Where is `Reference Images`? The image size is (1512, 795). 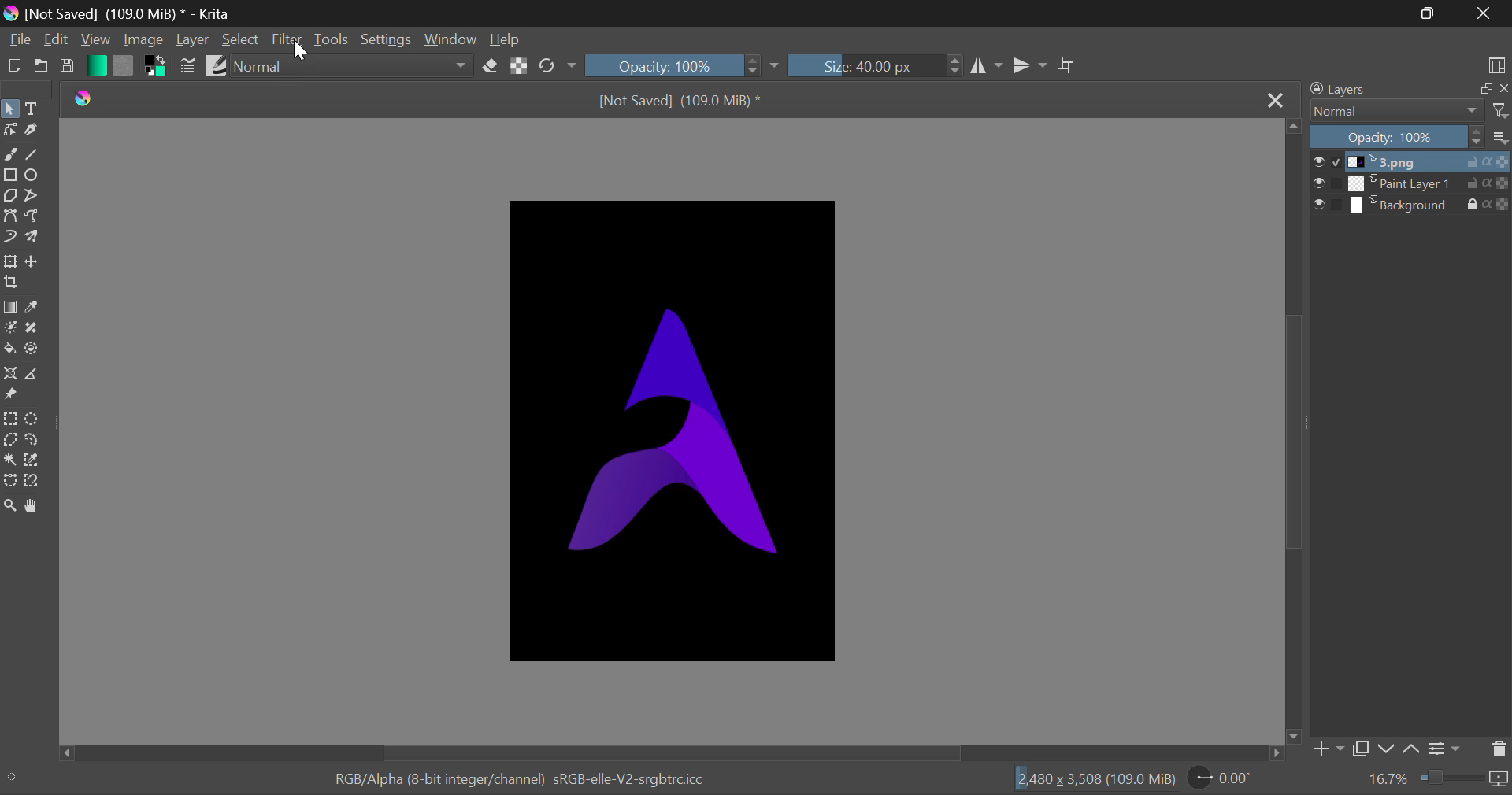 Reference Images is located at coordinates (10, 397).